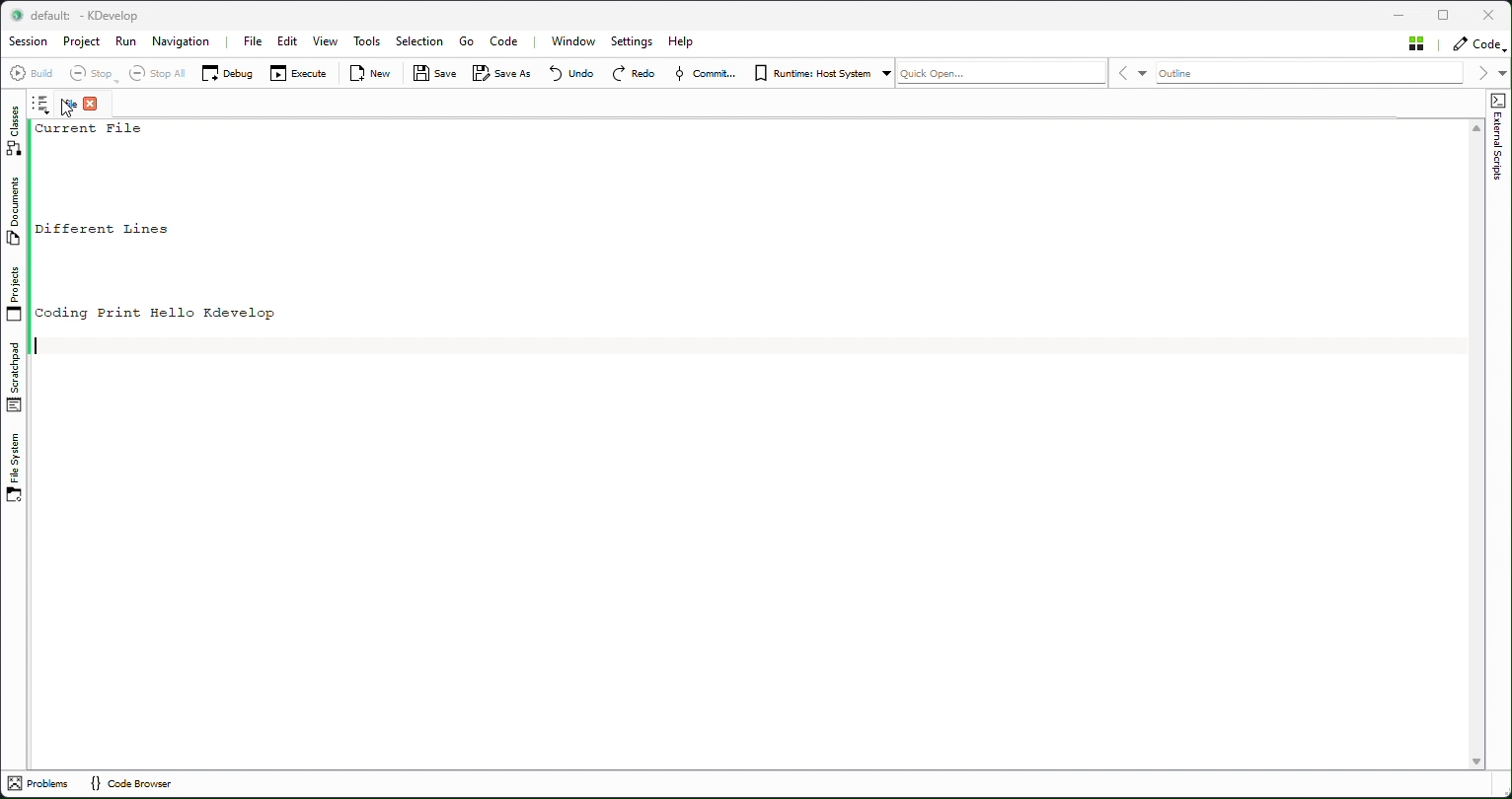 This screenshot has height=799, width=1512. I want to click on Selection, so click(419, 42).